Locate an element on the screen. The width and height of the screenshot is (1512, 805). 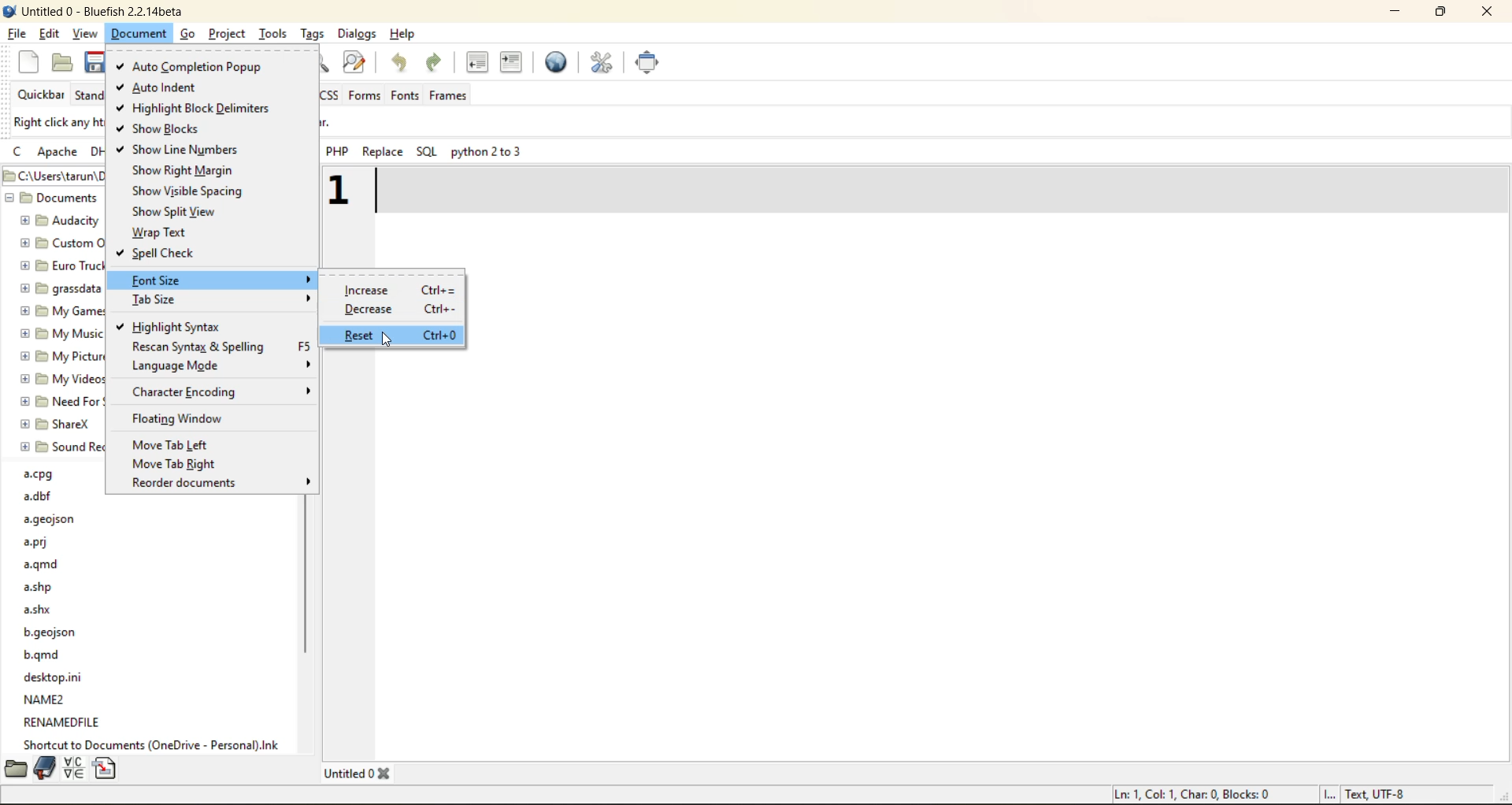
a.geojson is located at coordinates (51, 521).